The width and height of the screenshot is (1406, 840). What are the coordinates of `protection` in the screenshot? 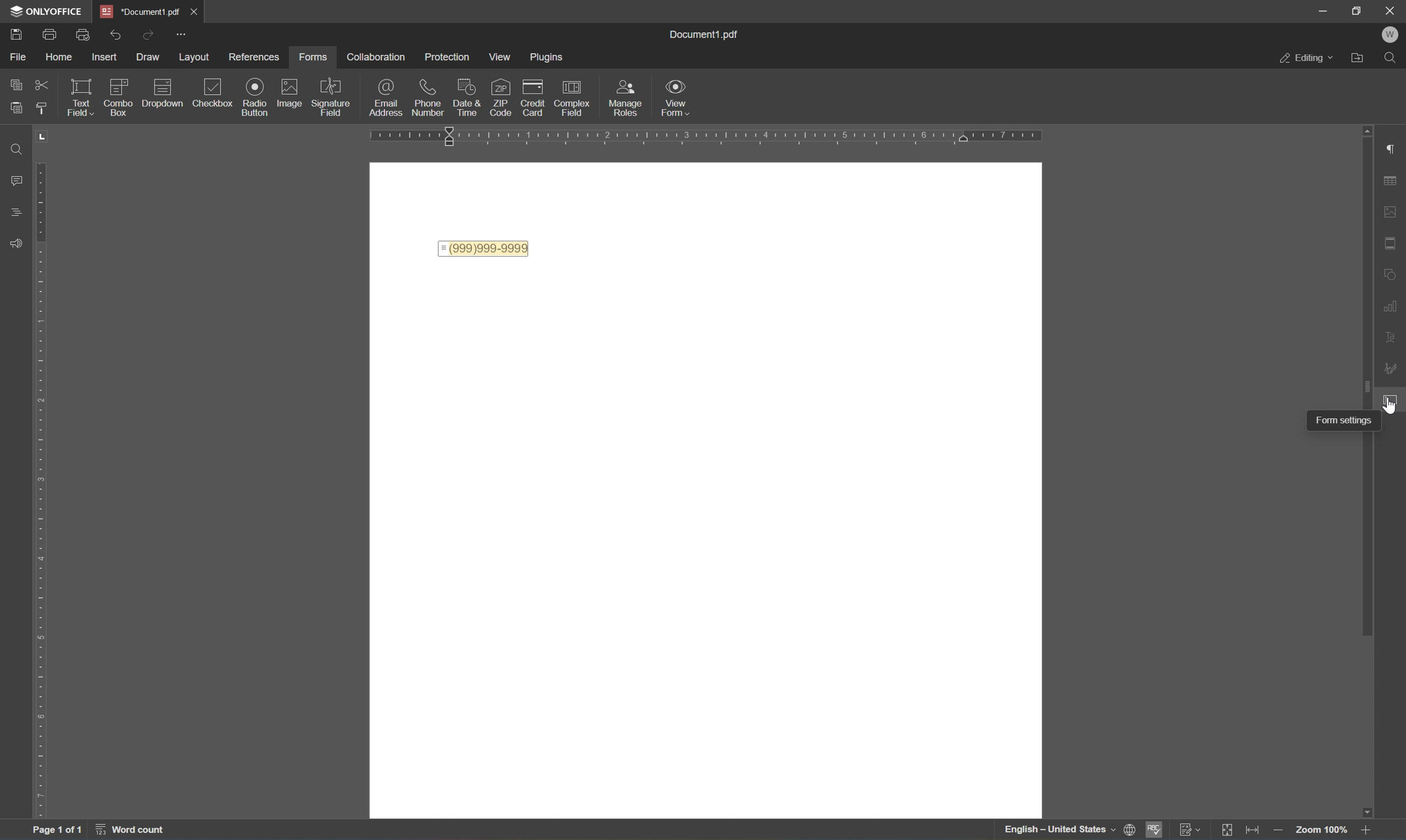 It's located at (450, 59).